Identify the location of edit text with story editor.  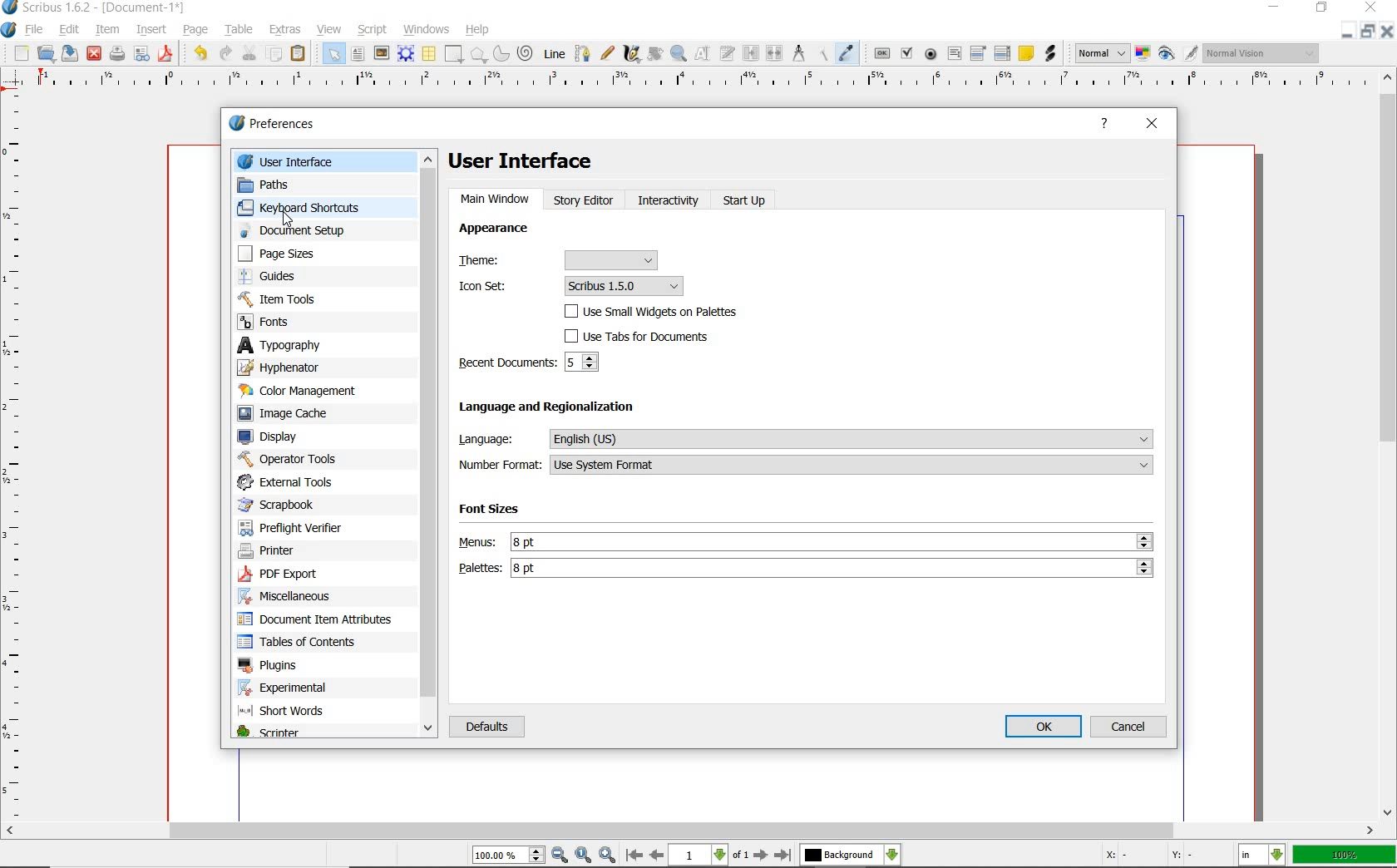
(728, 52).